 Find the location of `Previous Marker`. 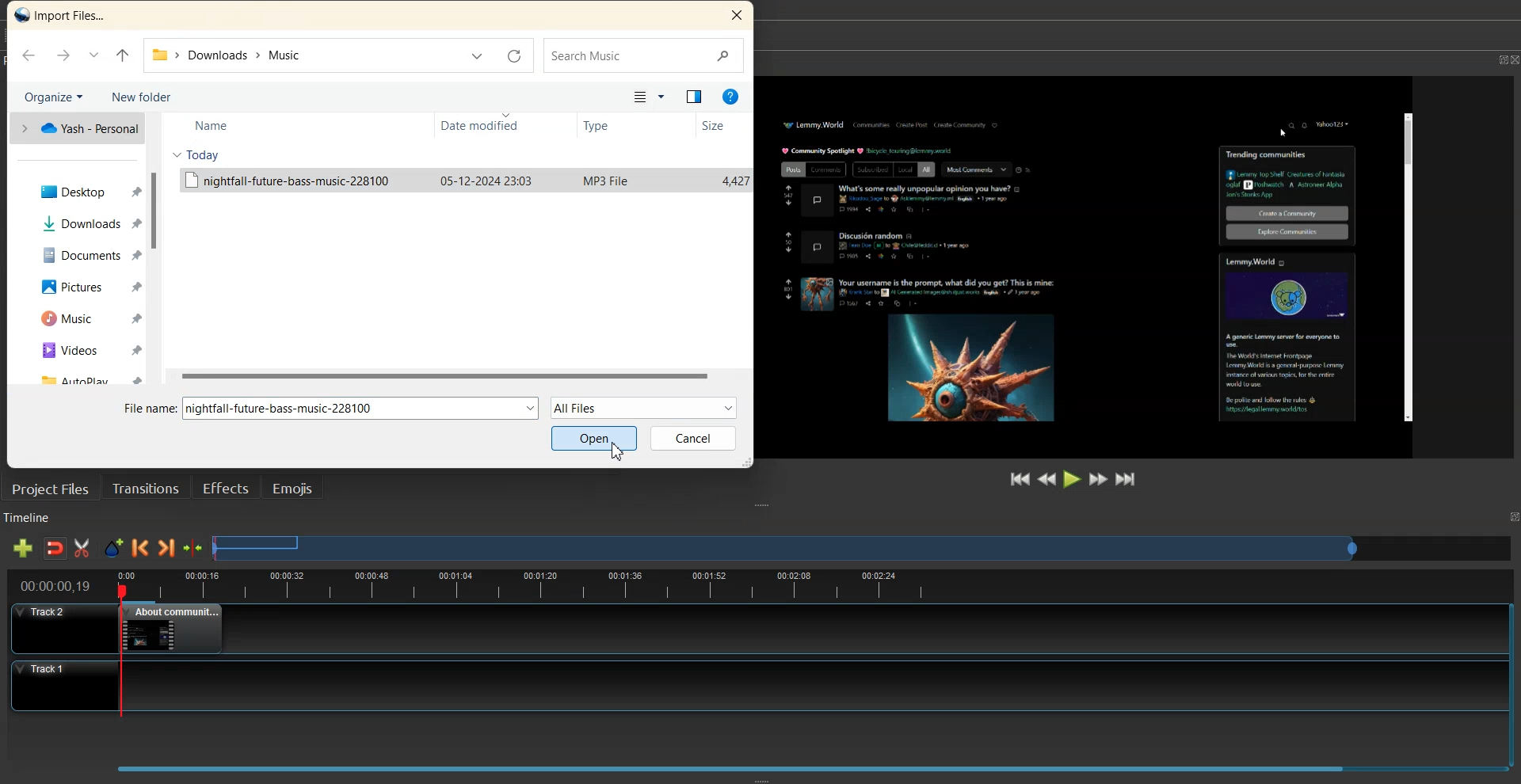

Previous Marker is located at coordinates (140, 547).